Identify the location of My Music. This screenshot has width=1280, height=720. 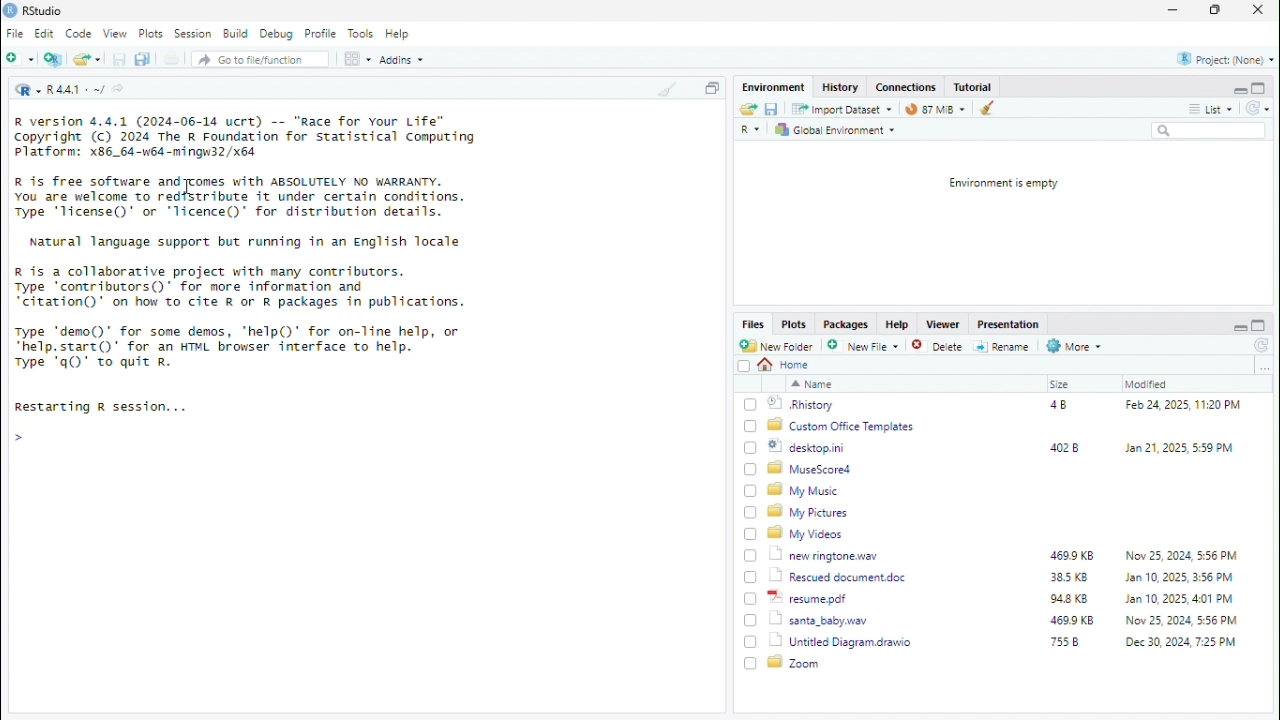
(803, 491).